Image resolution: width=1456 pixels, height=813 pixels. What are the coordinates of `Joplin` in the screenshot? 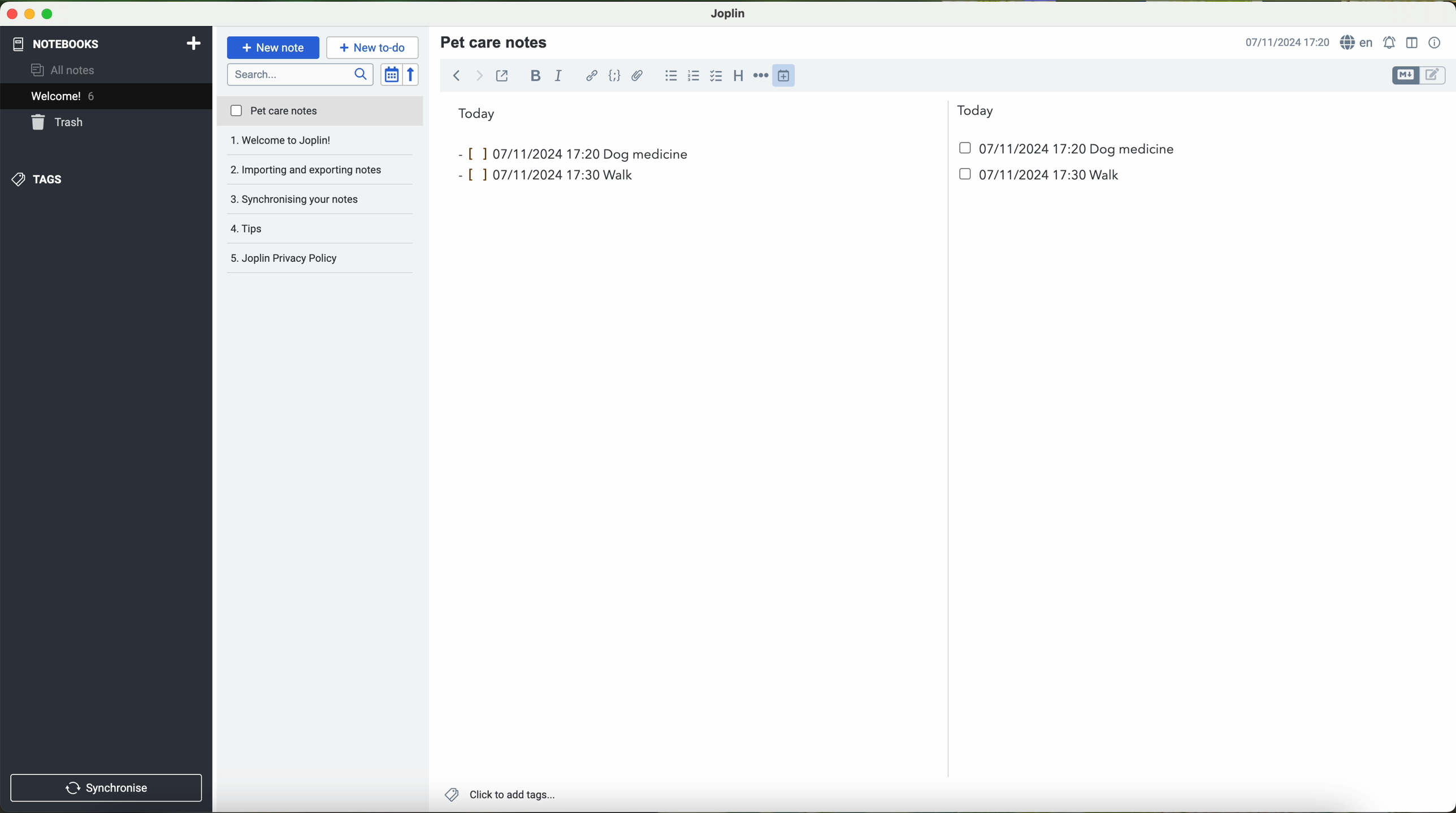 It's located at (729, 12).